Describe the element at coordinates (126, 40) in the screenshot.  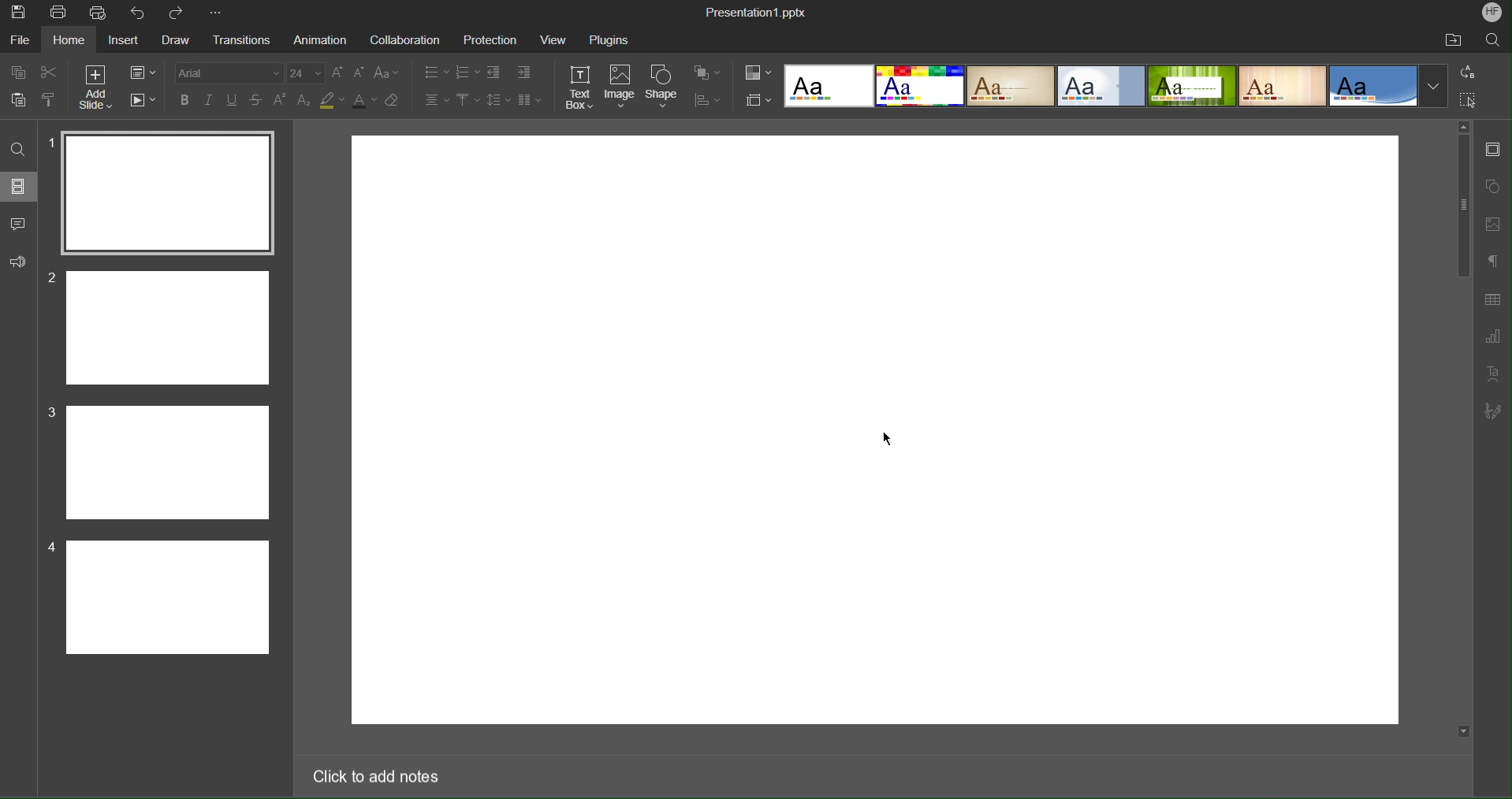
I see `Insert` at that location.